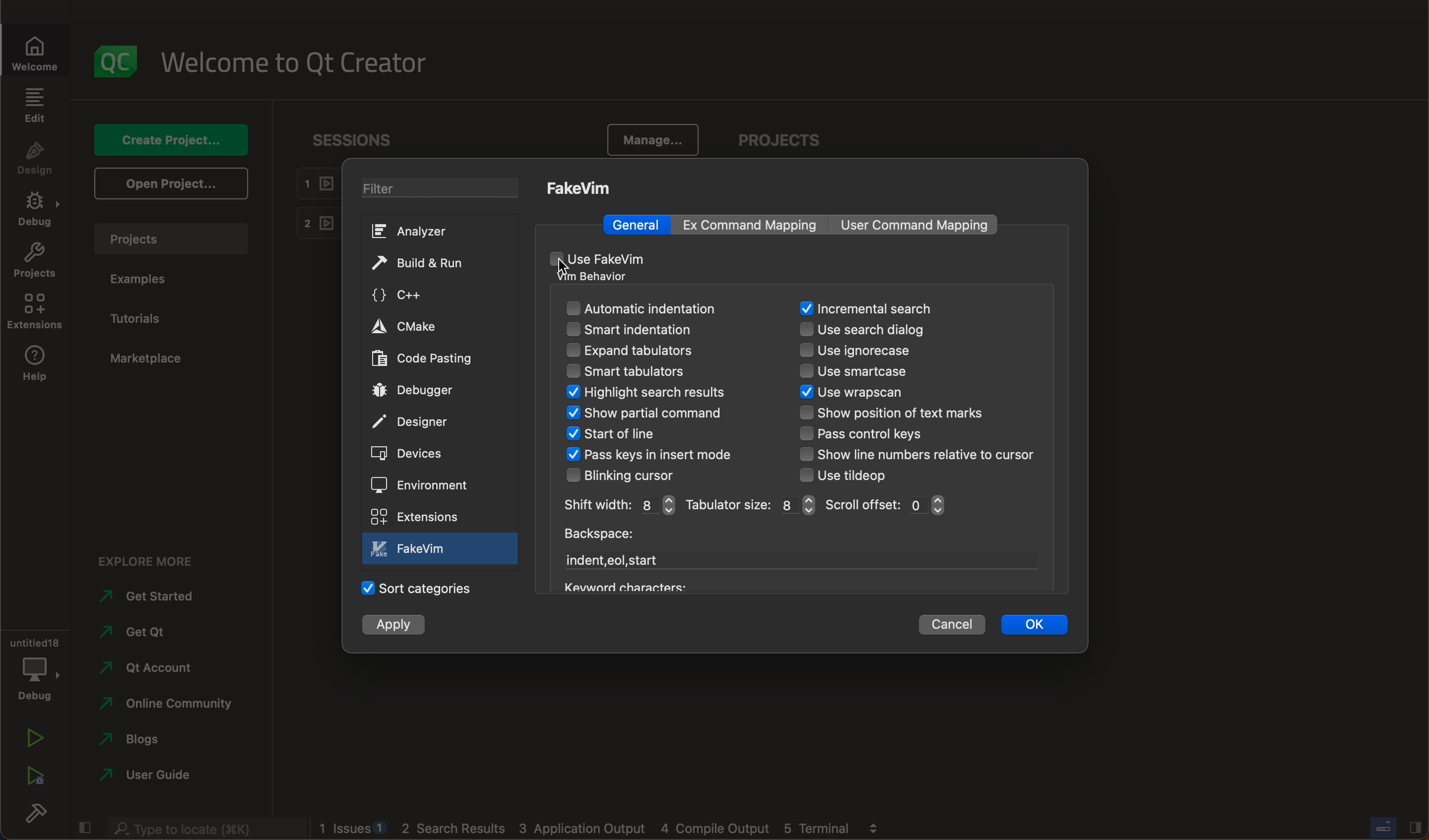 Image resolution: width=1429 pixels, height=840 pixels. Describe the element at coordinates (860, 351) in the screenshot. I see `ignorecase` at that location.